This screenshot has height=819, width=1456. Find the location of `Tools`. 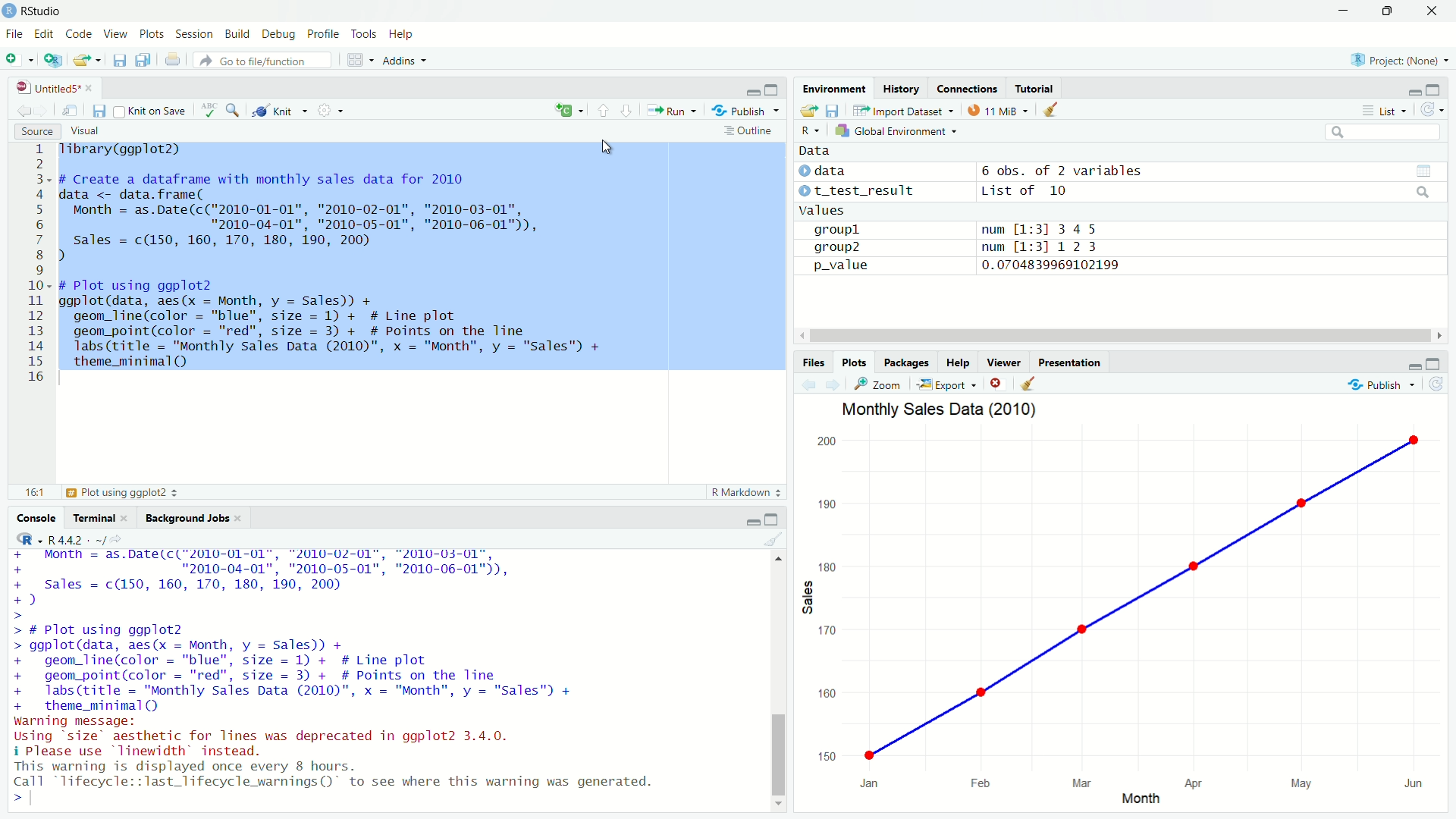

Tools is located at coordinates (364, 31).